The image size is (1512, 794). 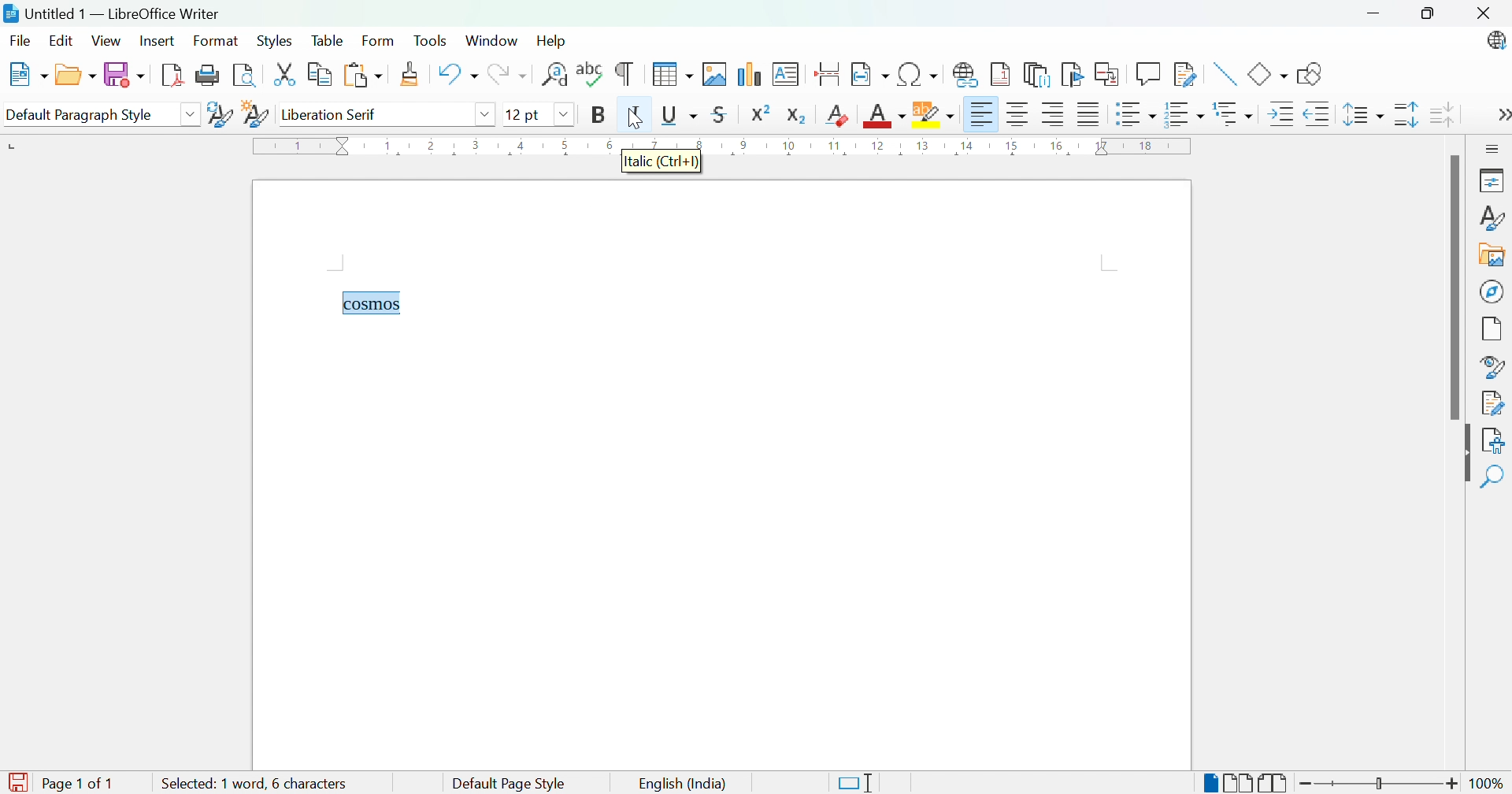 I want to click on Toggle formatting marks, so click(x=624, y=74).